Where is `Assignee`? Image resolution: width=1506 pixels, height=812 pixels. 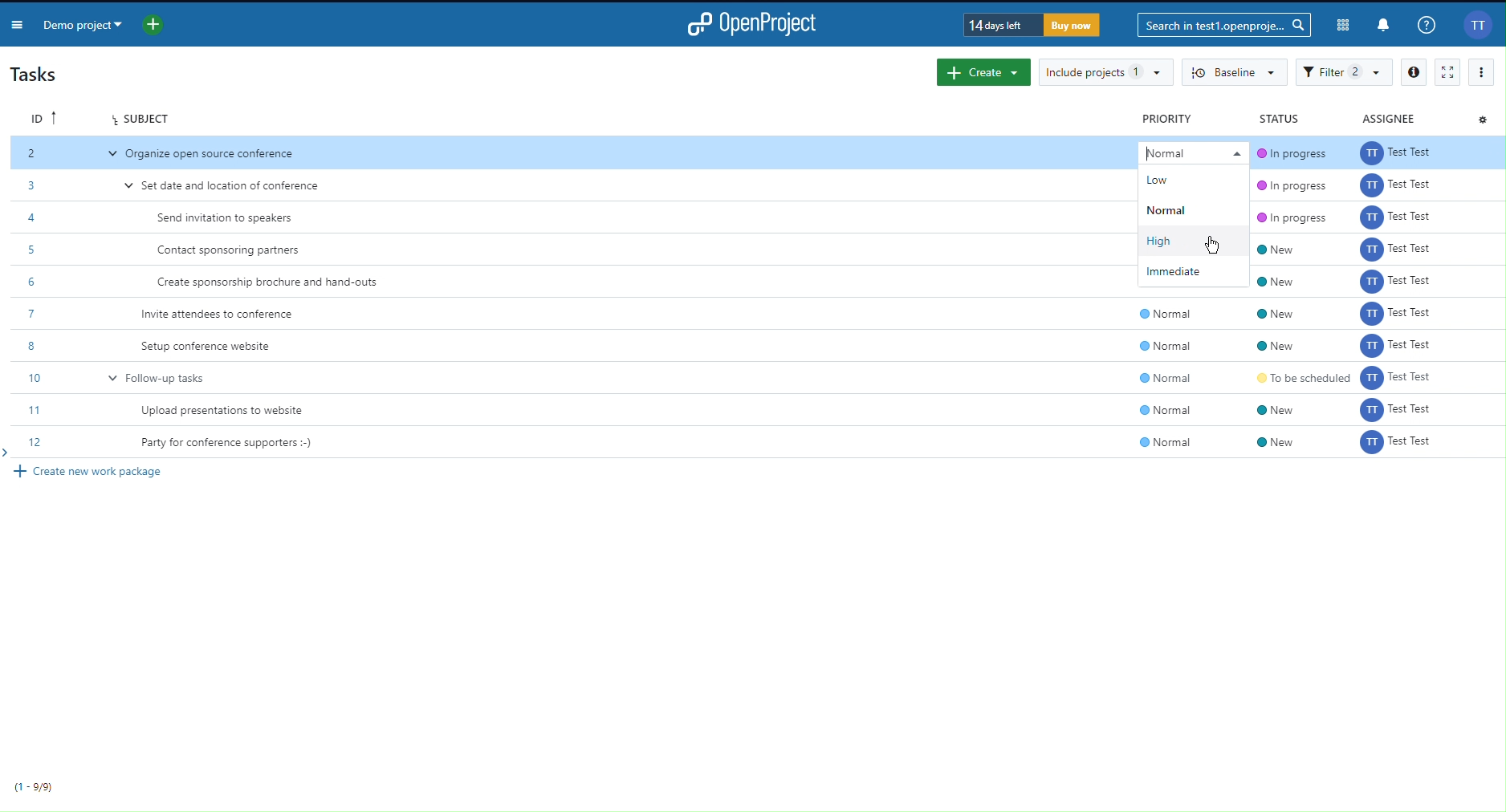
Assignee is located at coordinates (1390, 117).